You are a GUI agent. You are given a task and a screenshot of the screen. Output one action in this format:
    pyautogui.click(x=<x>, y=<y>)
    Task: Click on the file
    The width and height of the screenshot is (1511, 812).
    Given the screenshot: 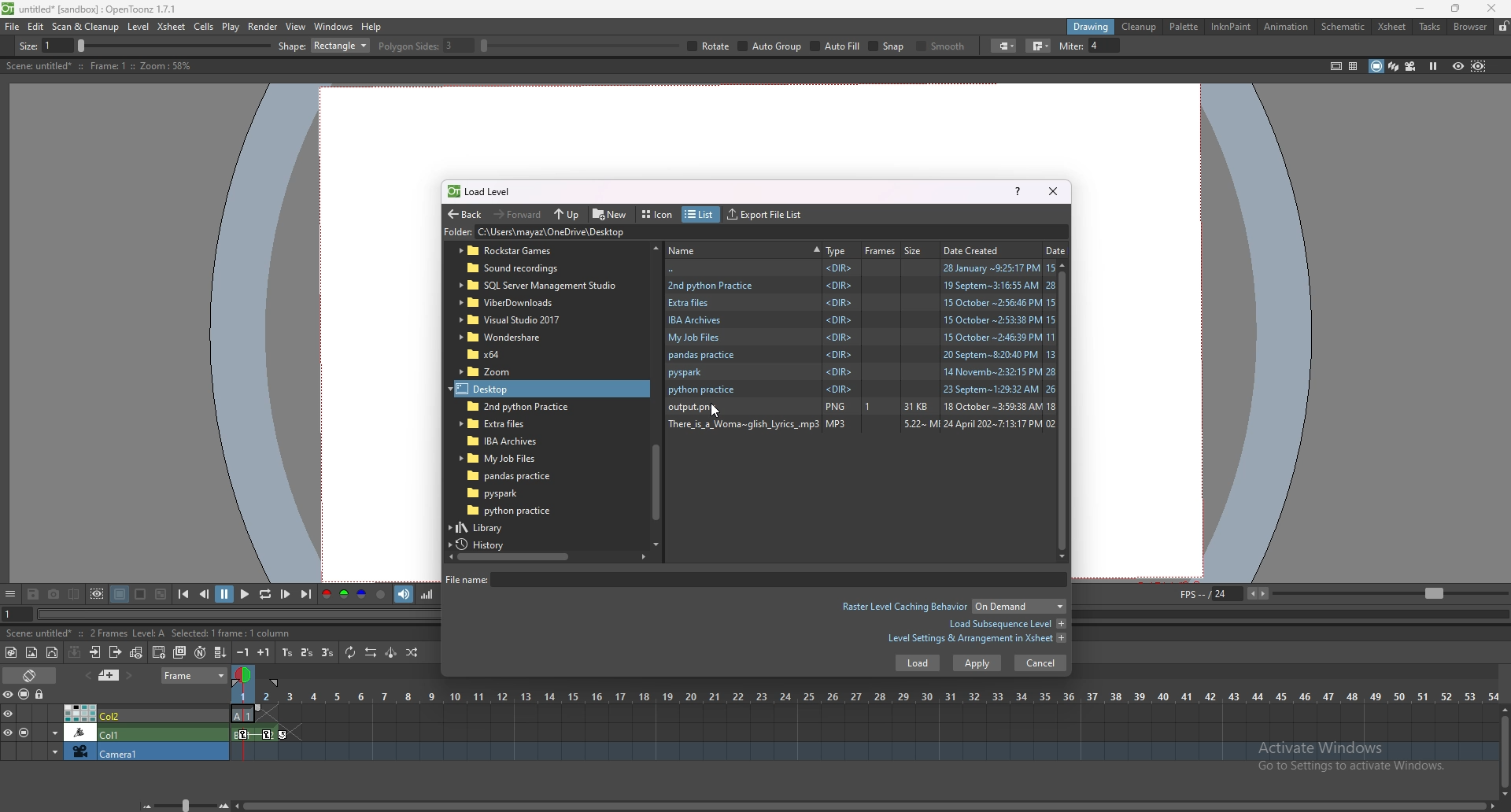 What is the action you would take?
    pyautogui.click(x=13, y=26)
    